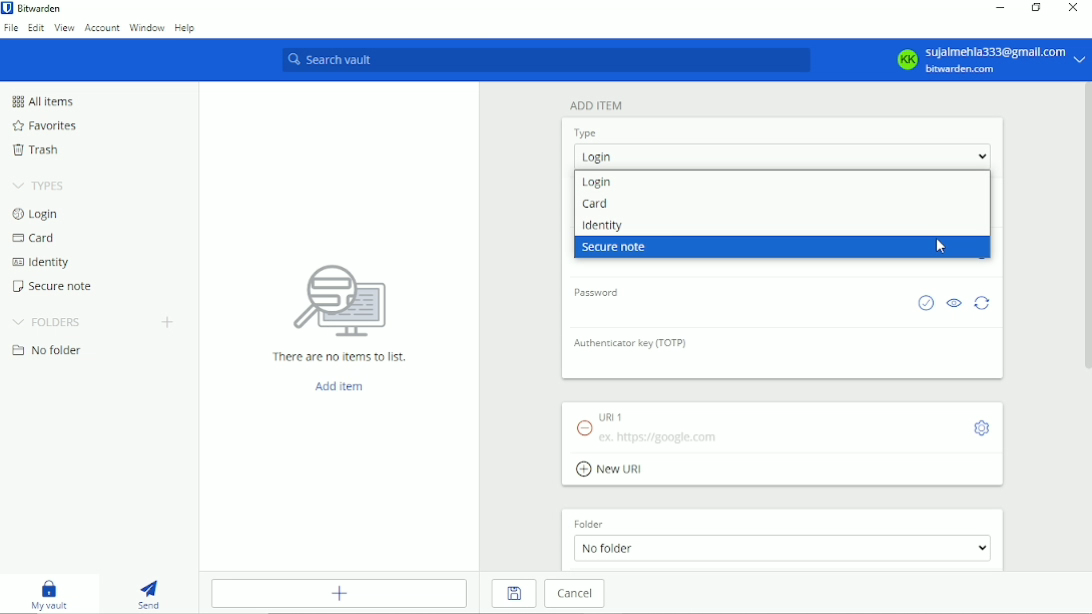 Image resolution: width=1092 pixels, height=614 pixels. I want to click on Secure note, so click(54, 286).